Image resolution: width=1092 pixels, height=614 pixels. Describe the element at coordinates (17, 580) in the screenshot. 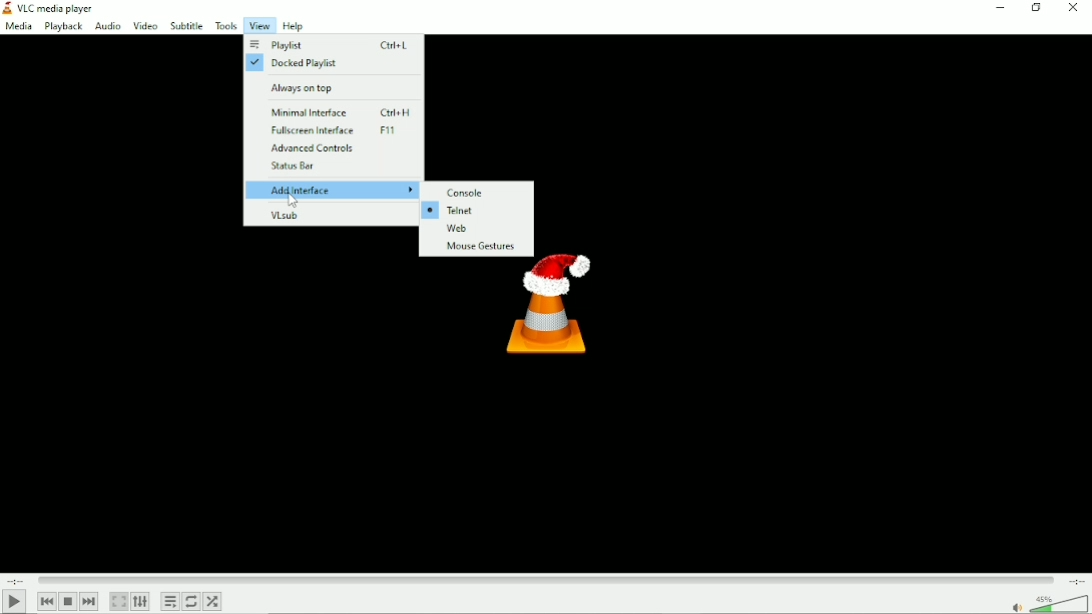

I see `Elapsed time` at that location.